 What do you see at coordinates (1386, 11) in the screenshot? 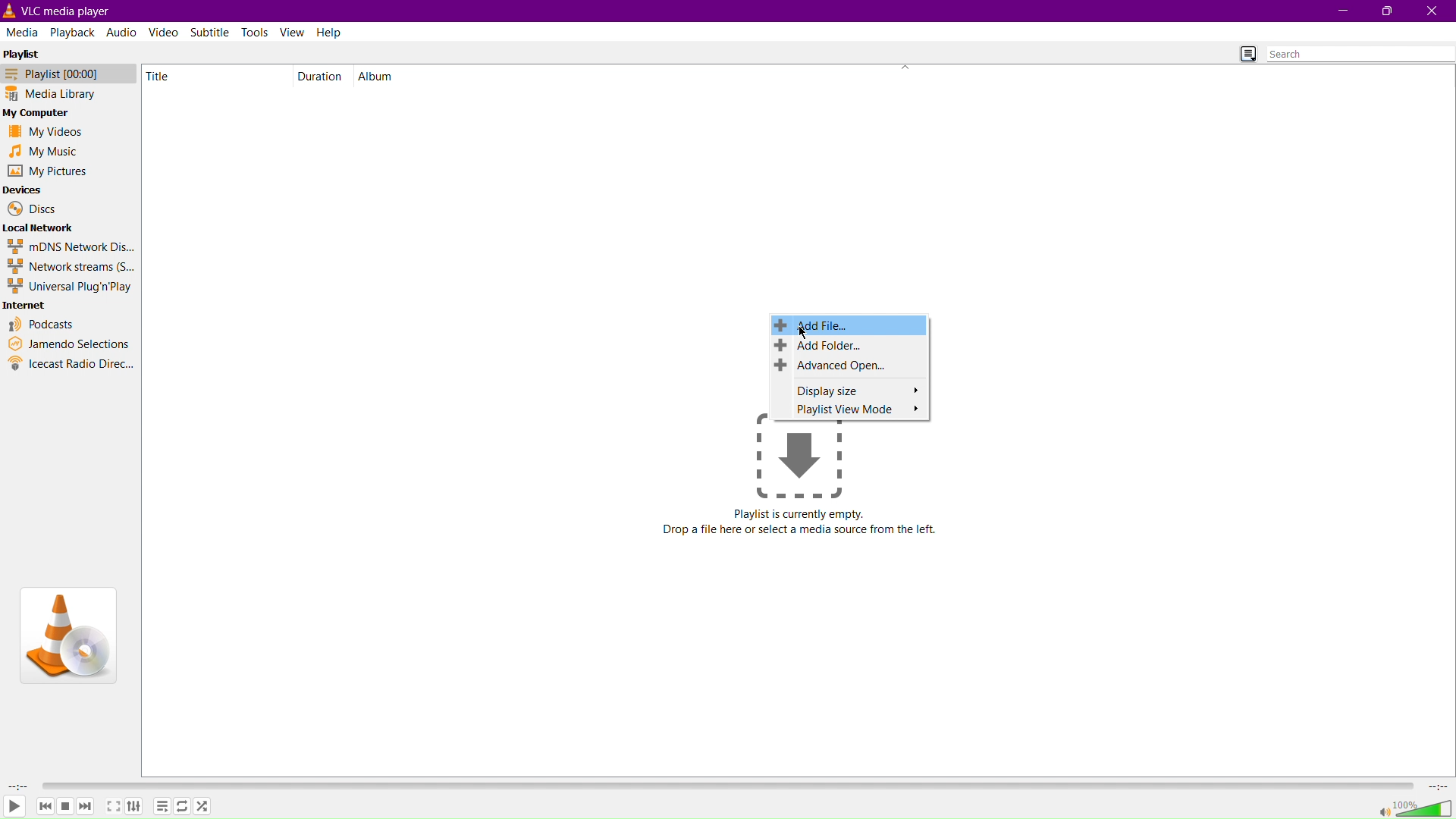
I see `Maximize` at bounding box center [1386, 11].